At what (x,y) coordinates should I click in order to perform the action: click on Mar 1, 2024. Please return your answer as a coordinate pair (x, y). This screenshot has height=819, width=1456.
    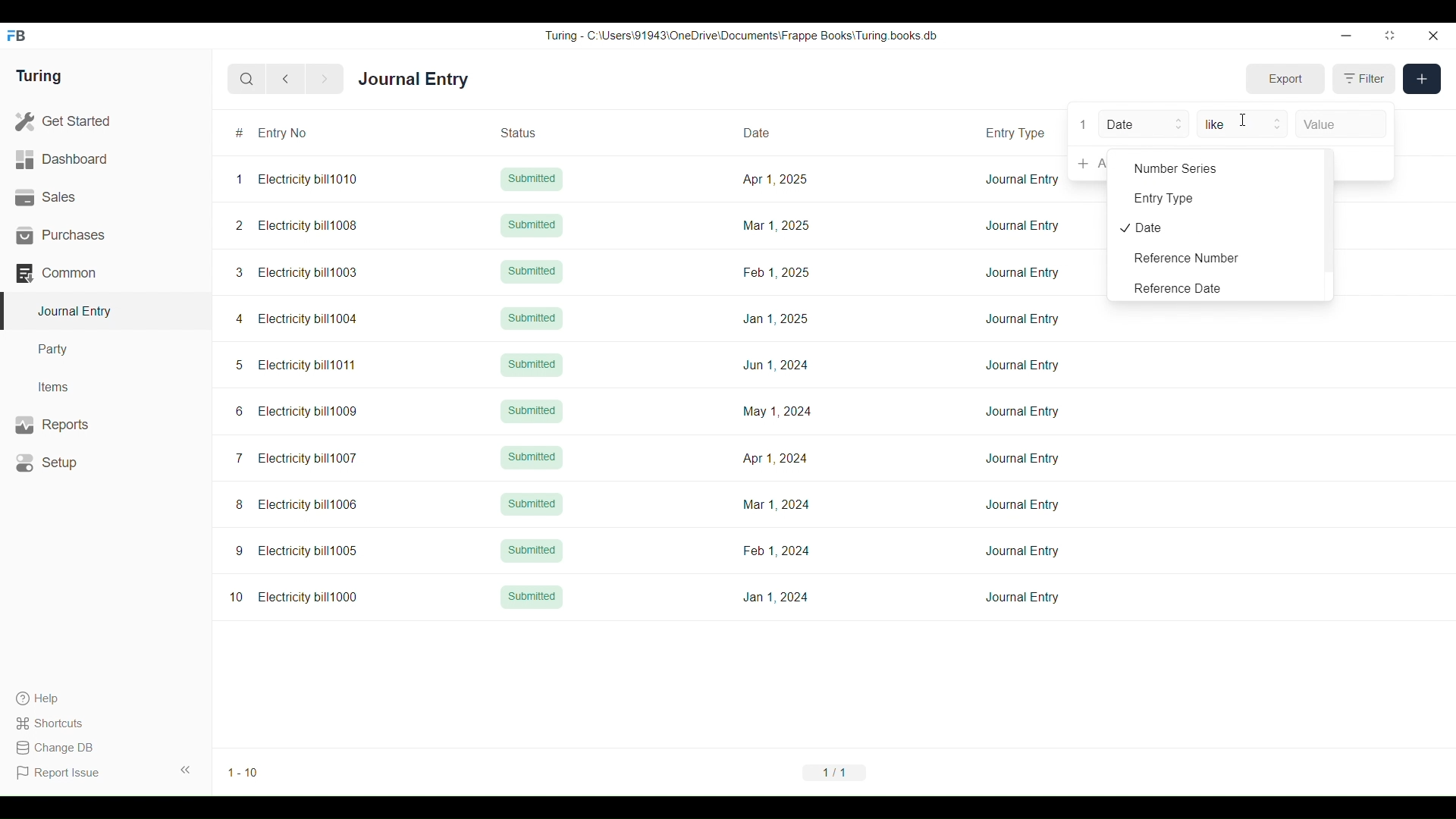
    Looking at the image, I should click on (777, 504).